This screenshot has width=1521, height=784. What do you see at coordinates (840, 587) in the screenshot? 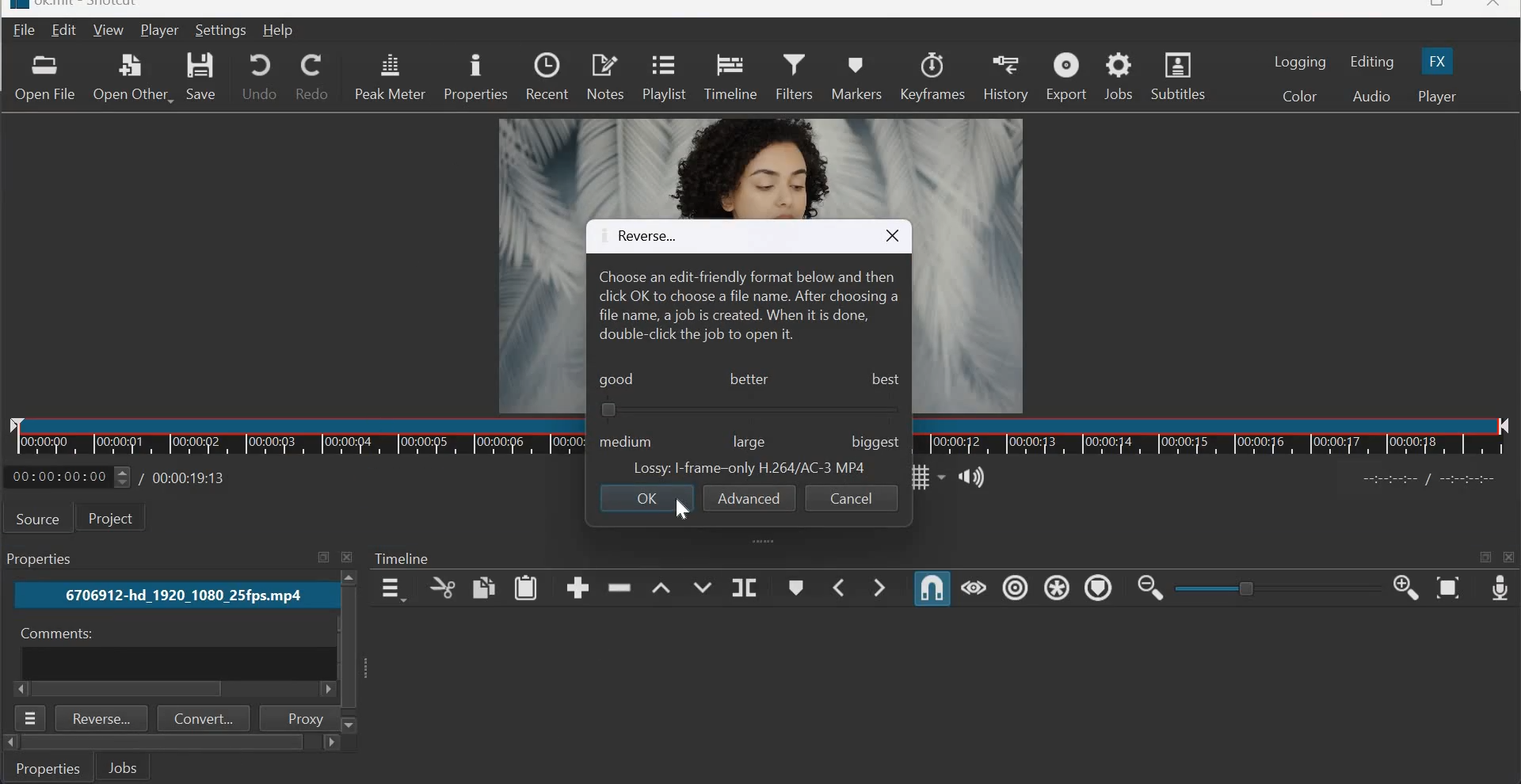
I see `Previous Marker` at bounding box center [840, 587].